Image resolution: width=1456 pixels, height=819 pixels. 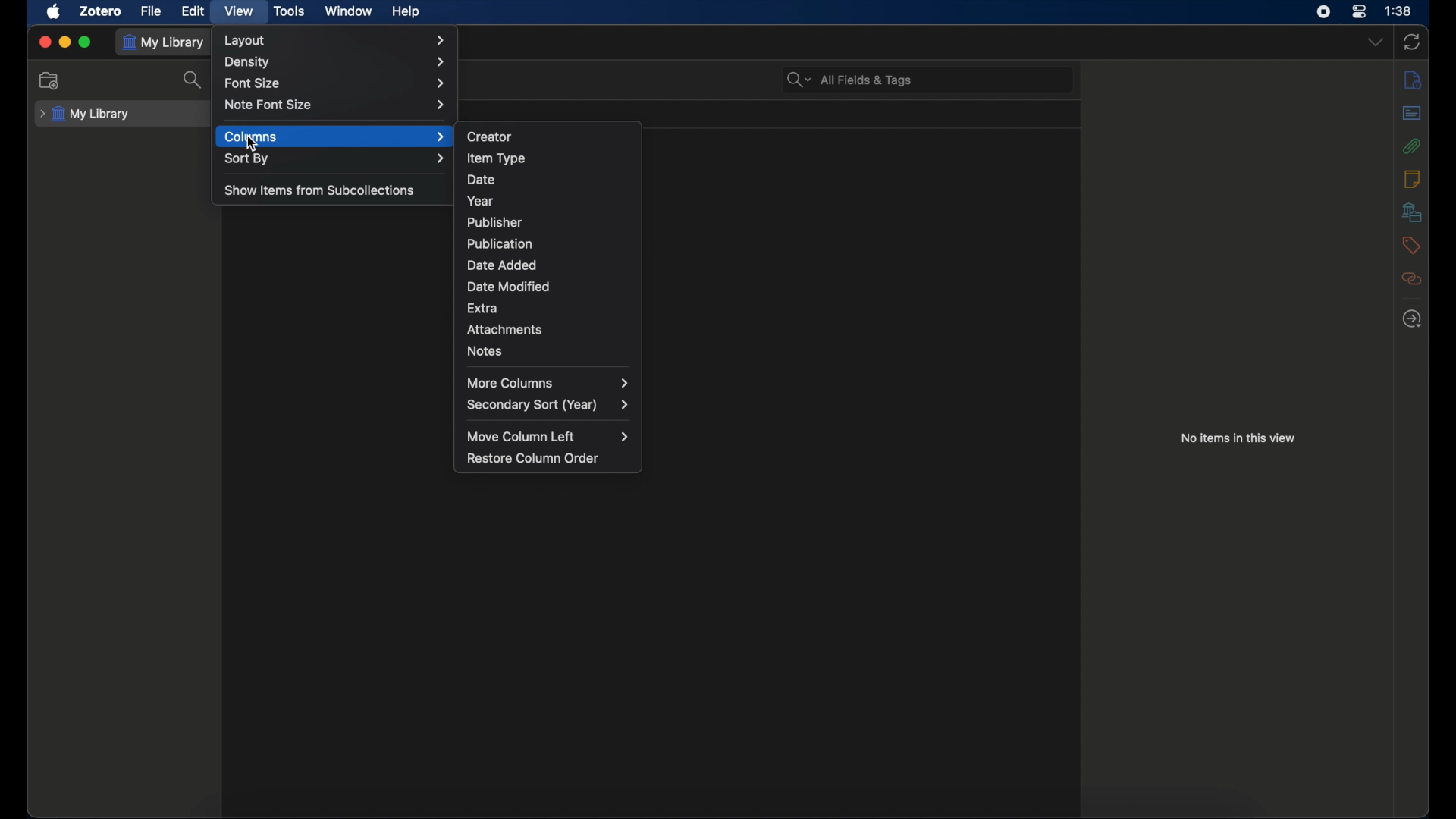 I want to click on font size, so click(x=338, y=83).